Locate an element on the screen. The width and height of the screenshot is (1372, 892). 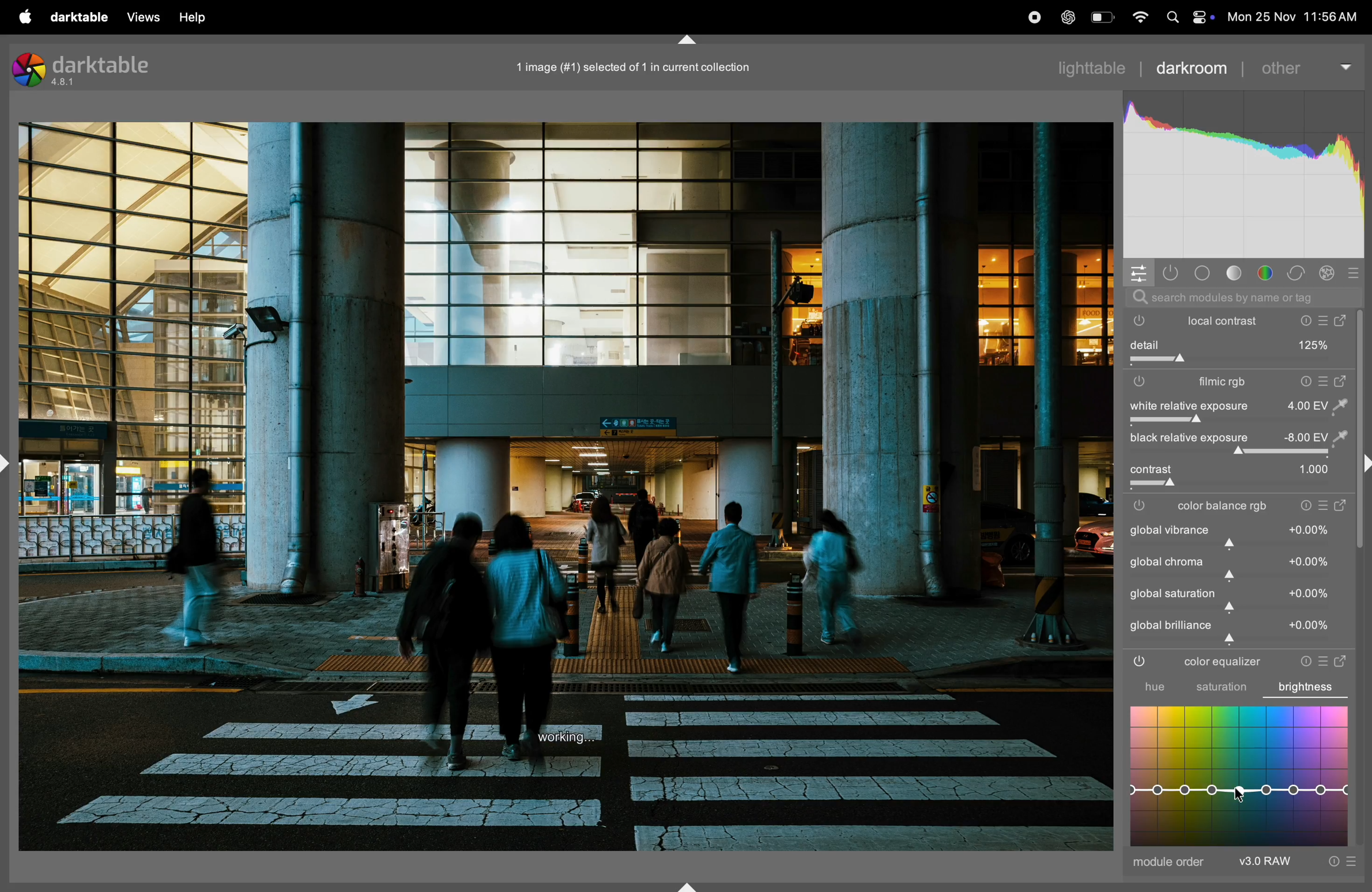
effect is located at coordinates (1327, 272).